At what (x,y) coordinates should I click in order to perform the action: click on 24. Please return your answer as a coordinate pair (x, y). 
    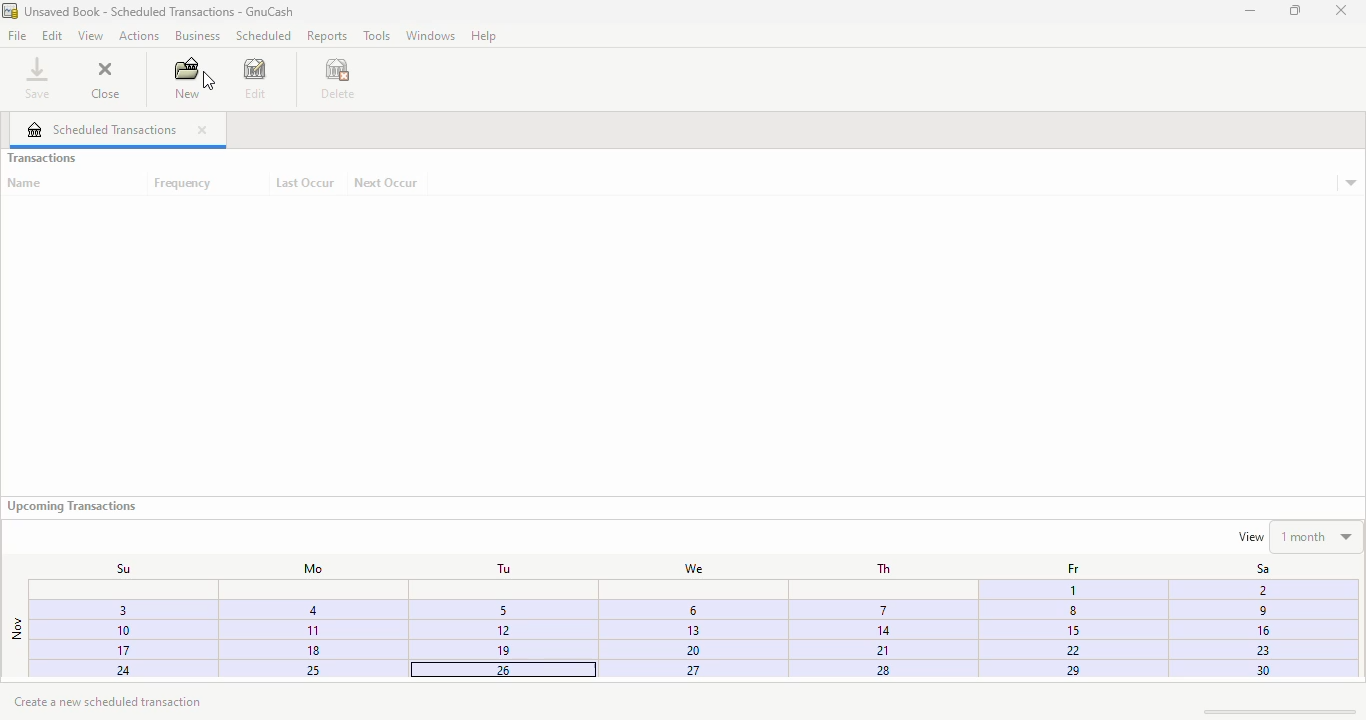
    Looking at the image, I should click on (103, 671).